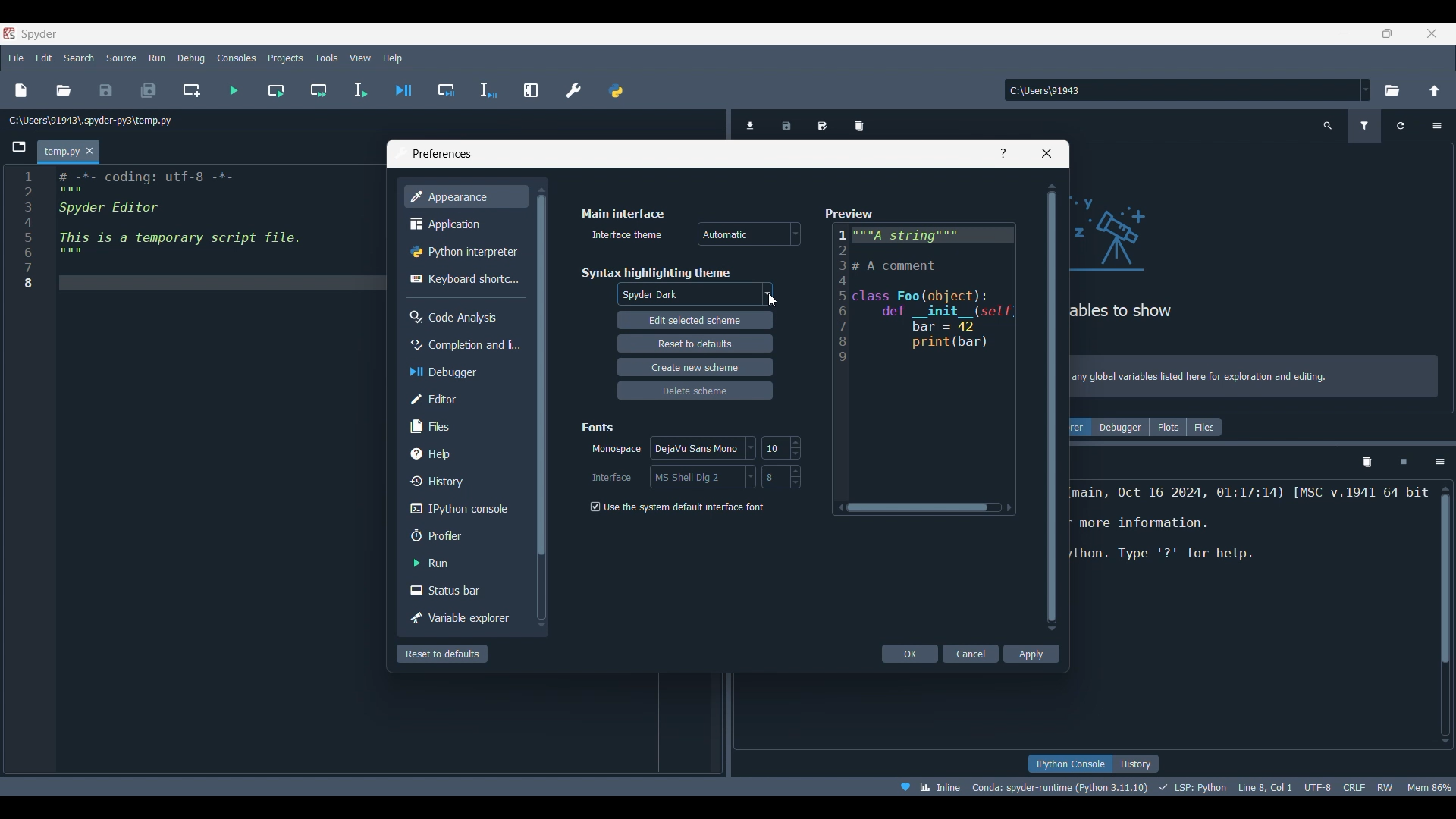  What do you see at coordinates (442, 654) in the screenshot?
I see `Reset to defaults` at bounding box center [442, 654].